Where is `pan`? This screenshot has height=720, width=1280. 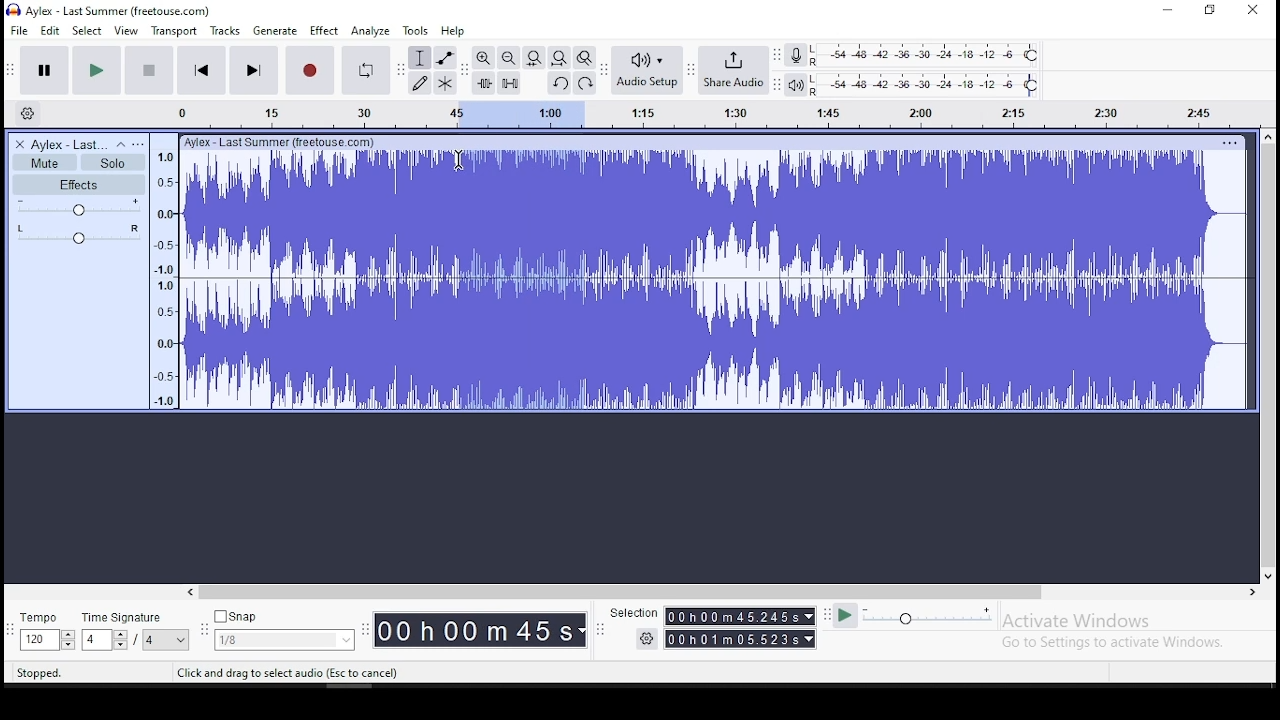 pan is located at coordinates (77, 234).